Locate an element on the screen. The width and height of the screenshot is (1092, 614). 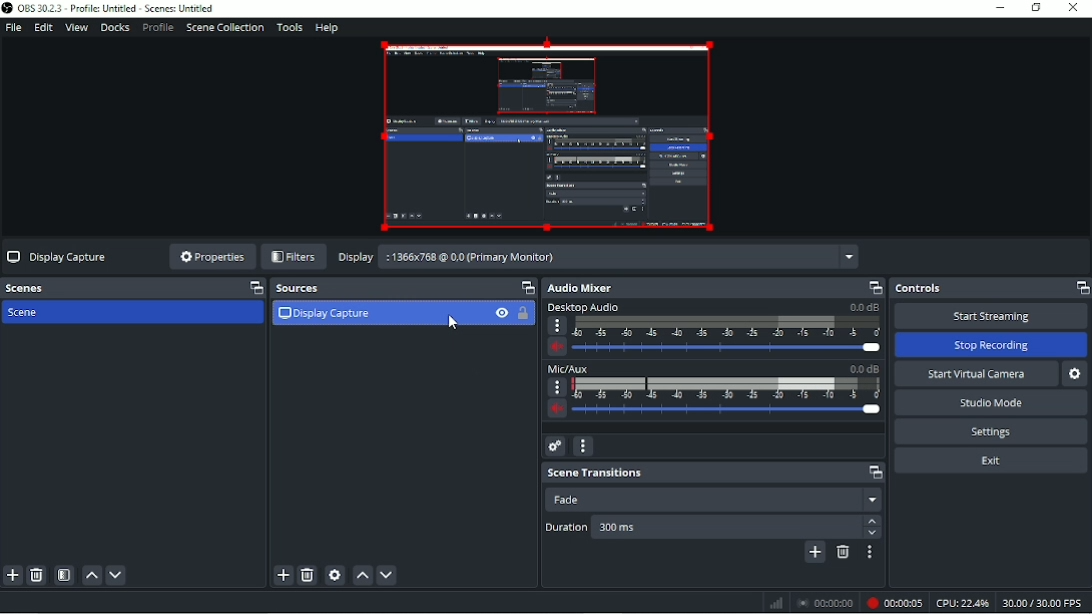
Open source properties is located at coordinates (335, 575).